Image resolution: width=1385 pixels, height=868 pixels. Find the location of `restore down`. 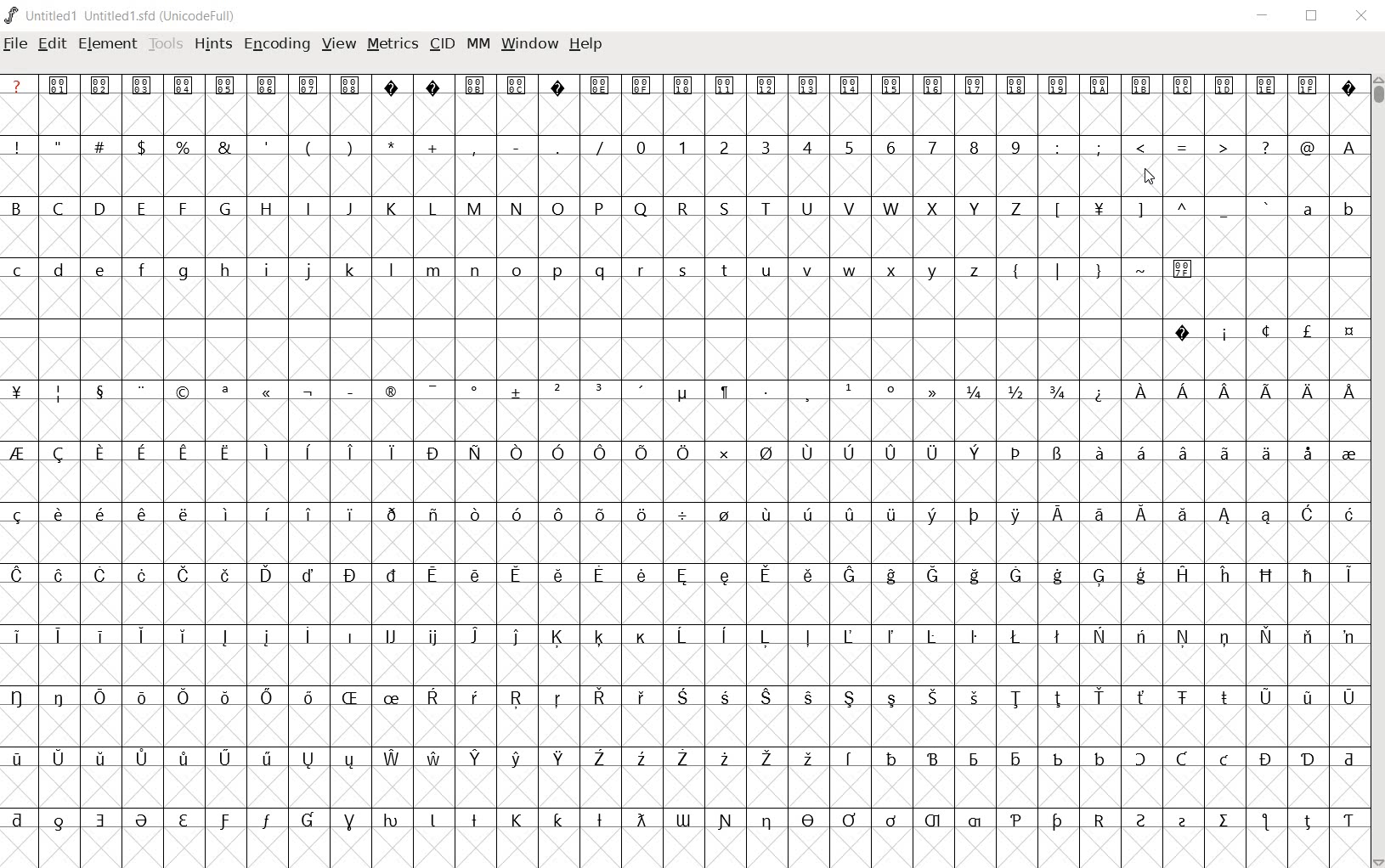

restore down is located at coordinates (1313, 15).